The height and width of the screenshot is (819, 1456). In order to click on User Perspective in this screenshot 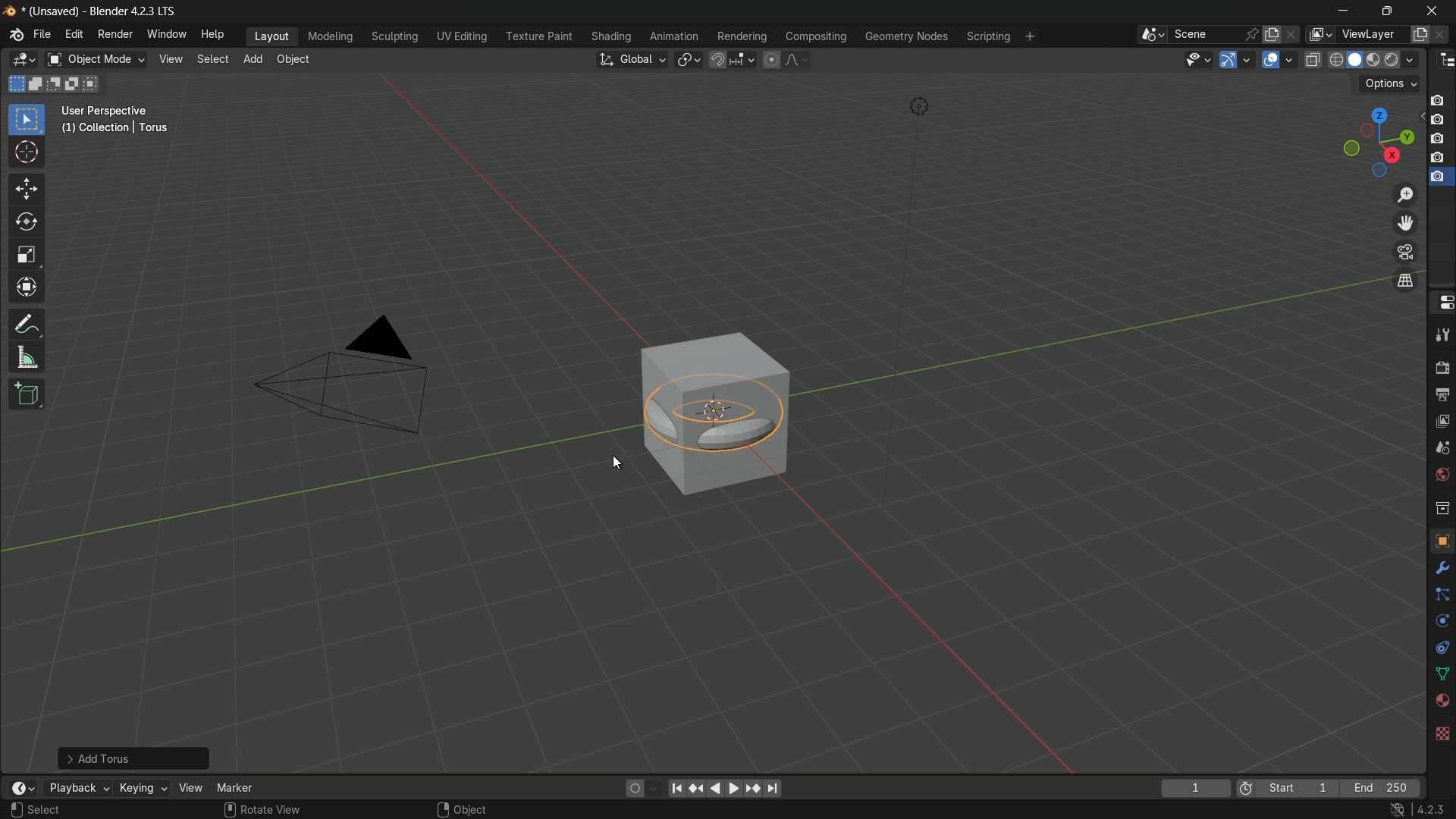, I will do `click(108, 111)`.